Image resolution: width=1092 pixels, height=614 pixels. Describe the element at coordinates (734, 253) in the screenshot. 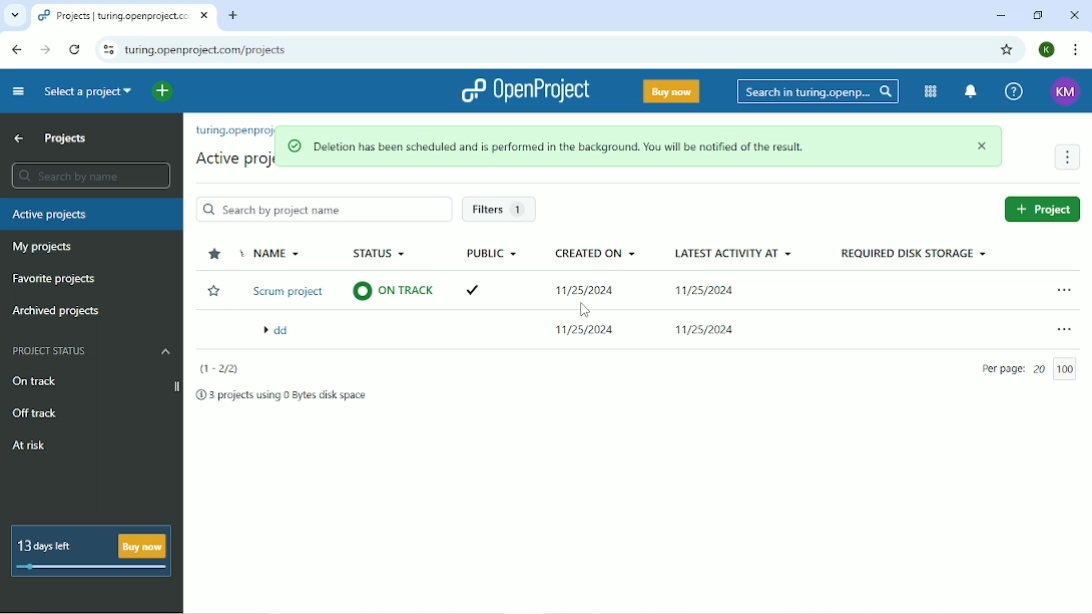

I see `Latest activity at` at that location.